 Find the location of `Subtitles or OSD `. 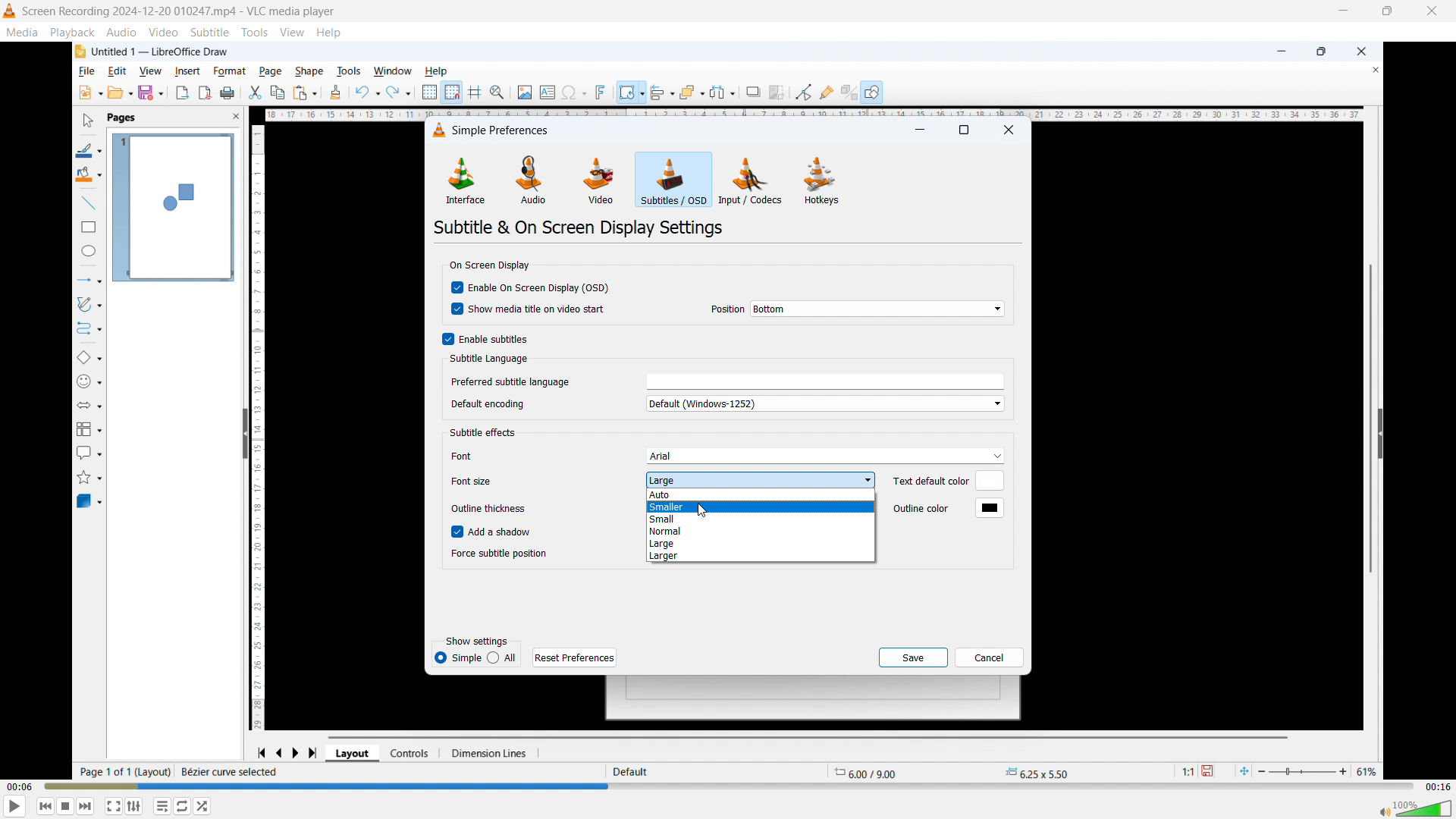

Subtitles or OSD  is located at coordinates (674, 180).